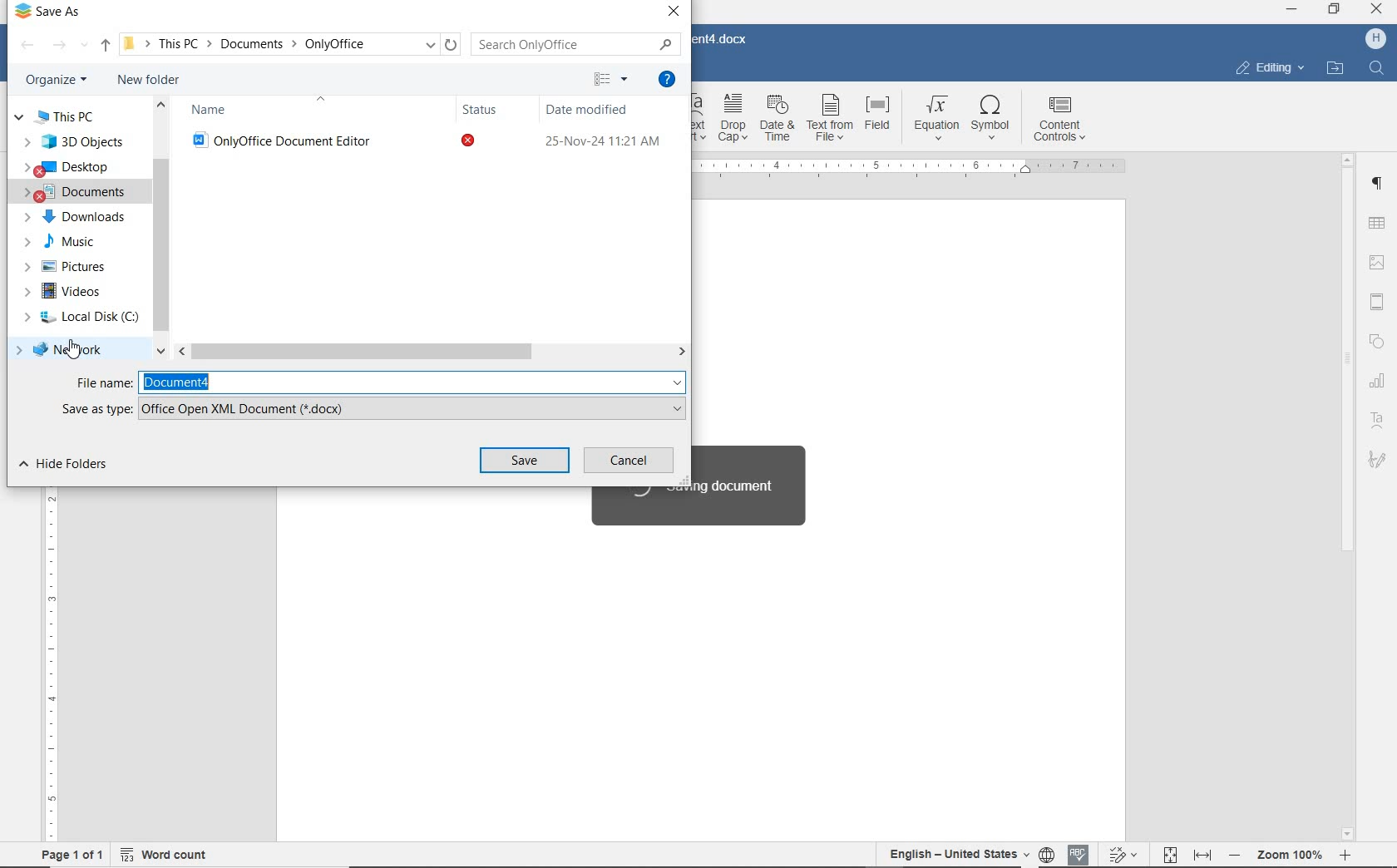 This screenshot has width=1397, height=868. Describe the element at coordinates (68, 467) in the screenshot. I see `hide folders` at that location.